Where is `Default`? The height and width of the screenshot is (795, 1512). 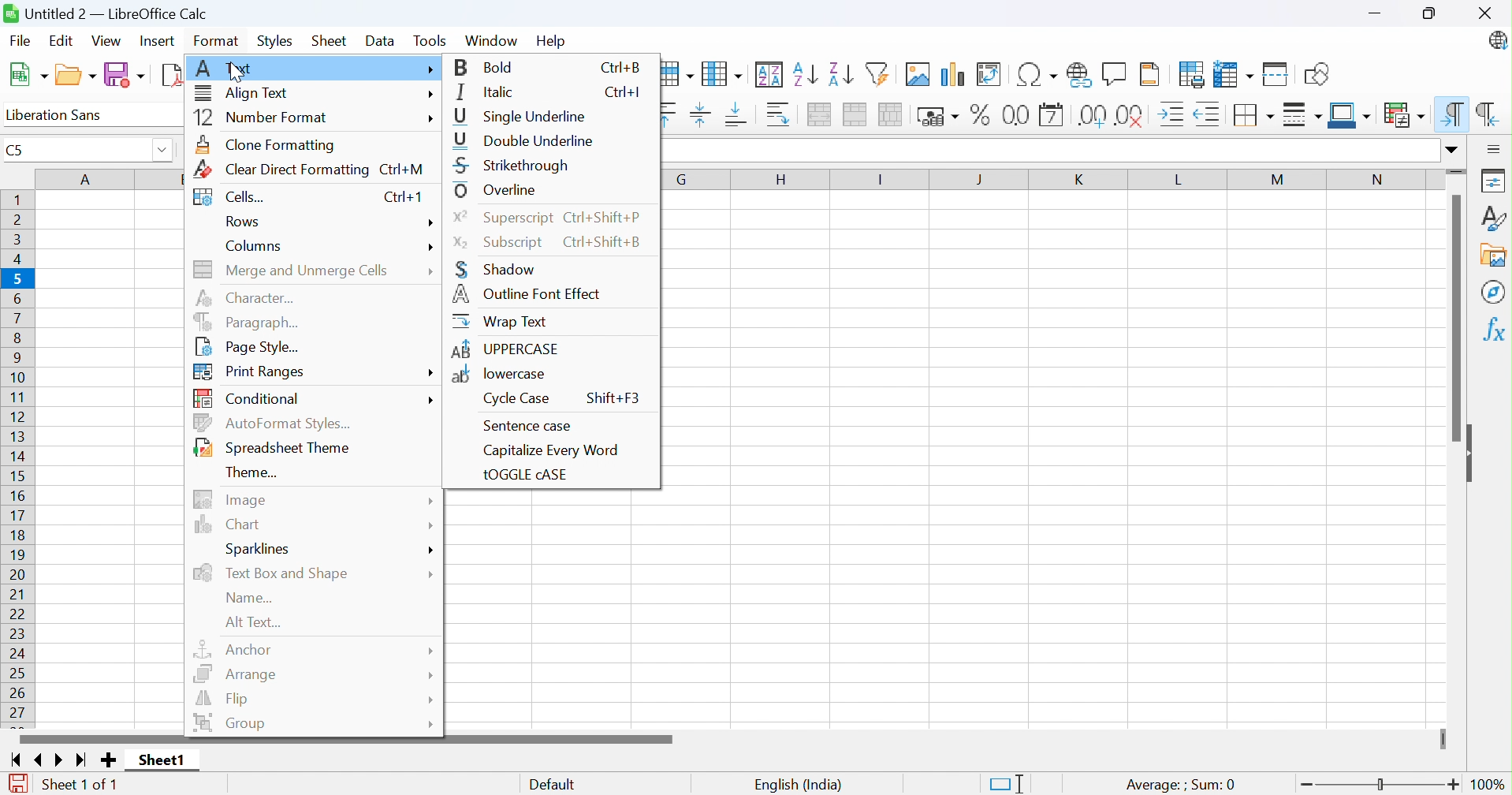 Default is located at coordinates (553, 785).